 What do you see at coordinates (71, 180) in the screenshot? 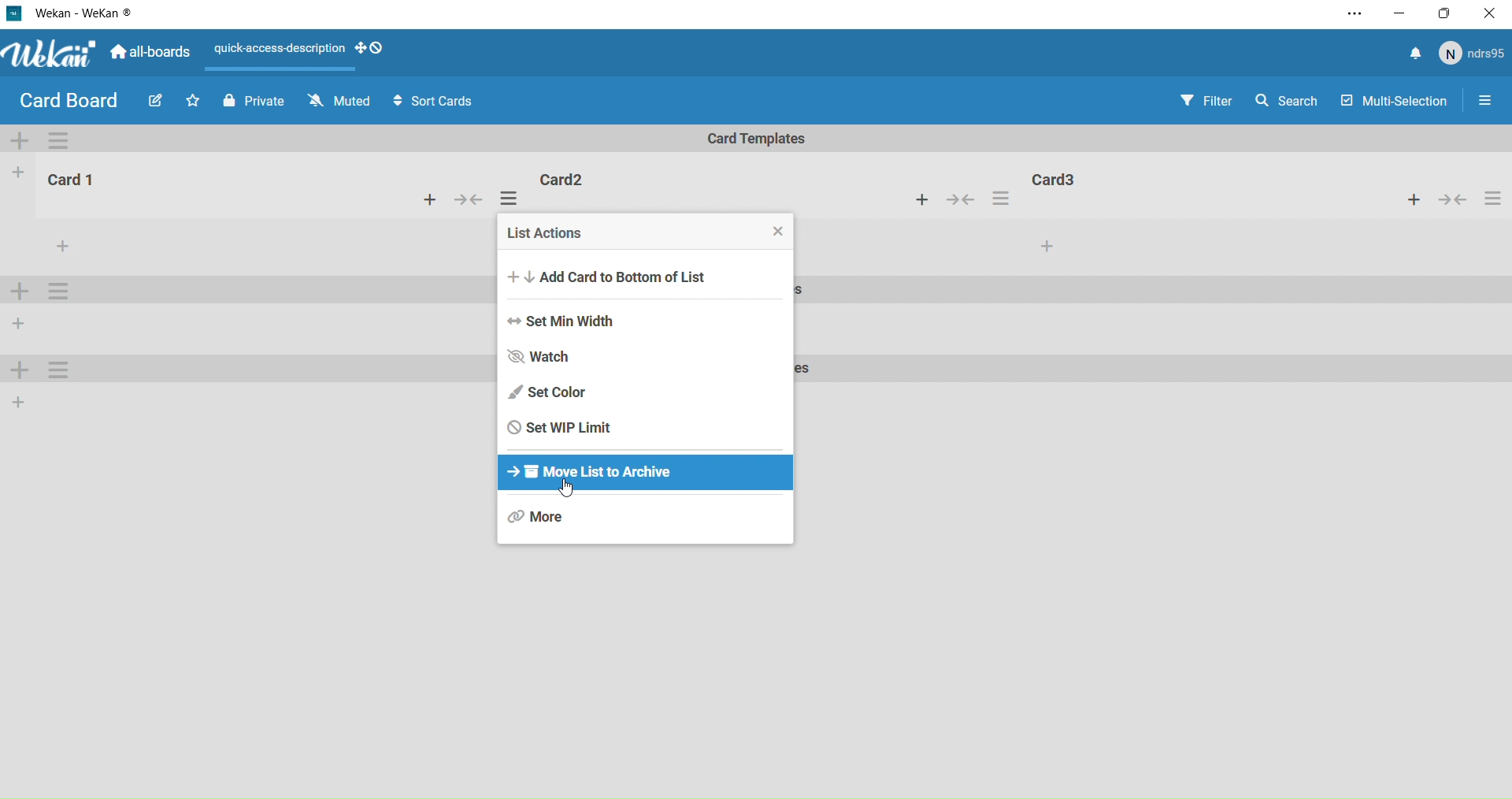
I see `Card1` at bounding box center [71, 180].